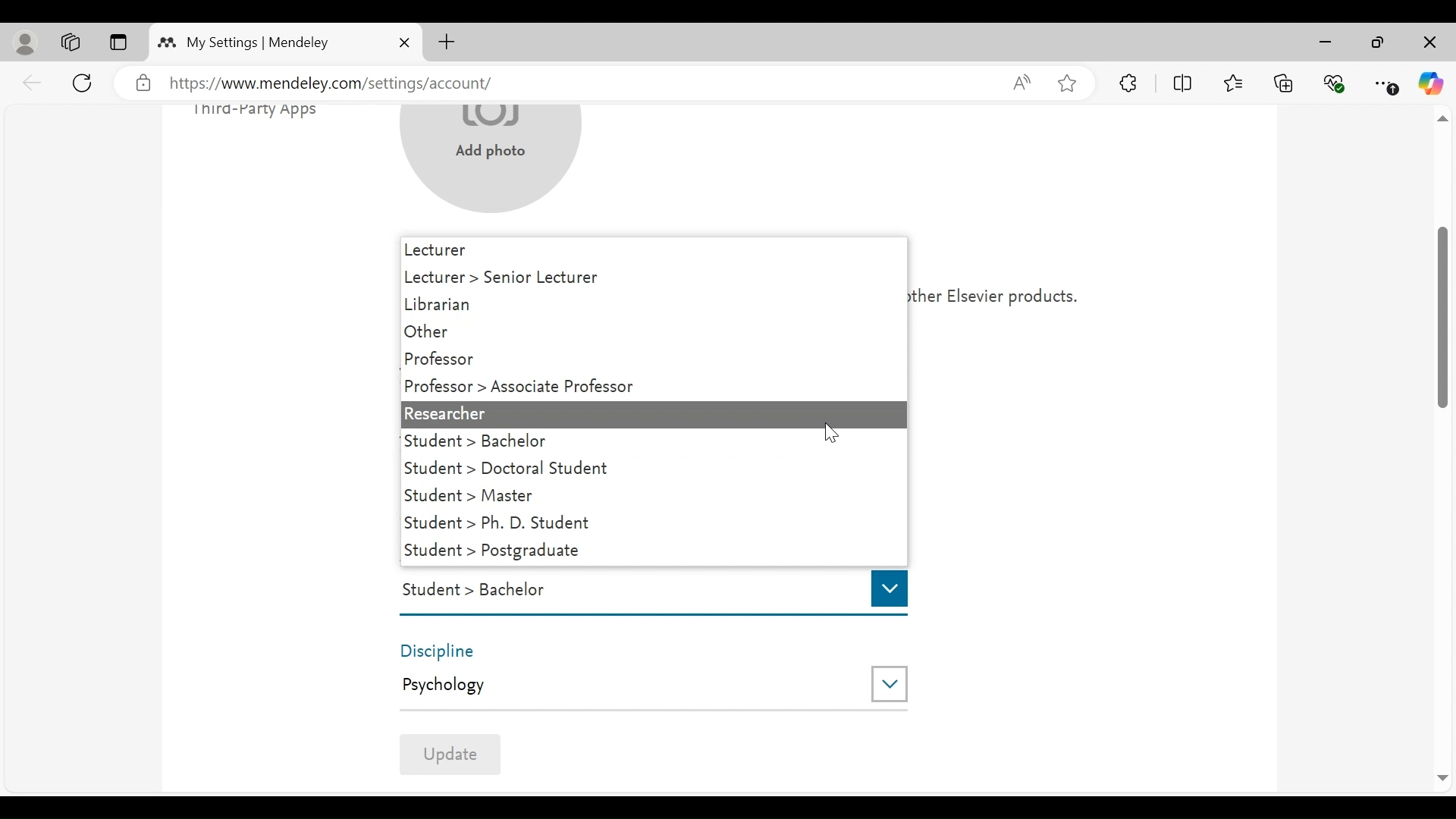 Image resolution: width=1456 pixels, height=819 pixels. I want to click on Drop down, so click(889, 682).